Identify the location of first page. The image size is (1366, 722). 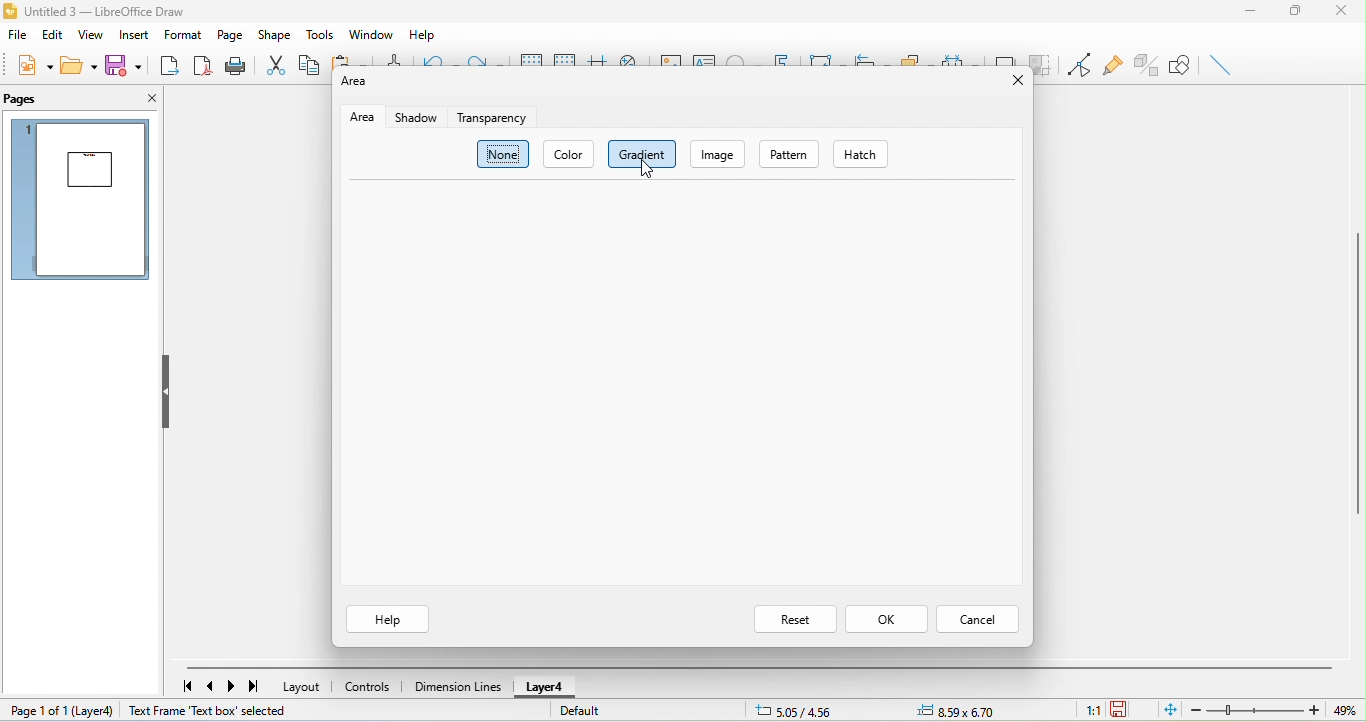
(185, 685).